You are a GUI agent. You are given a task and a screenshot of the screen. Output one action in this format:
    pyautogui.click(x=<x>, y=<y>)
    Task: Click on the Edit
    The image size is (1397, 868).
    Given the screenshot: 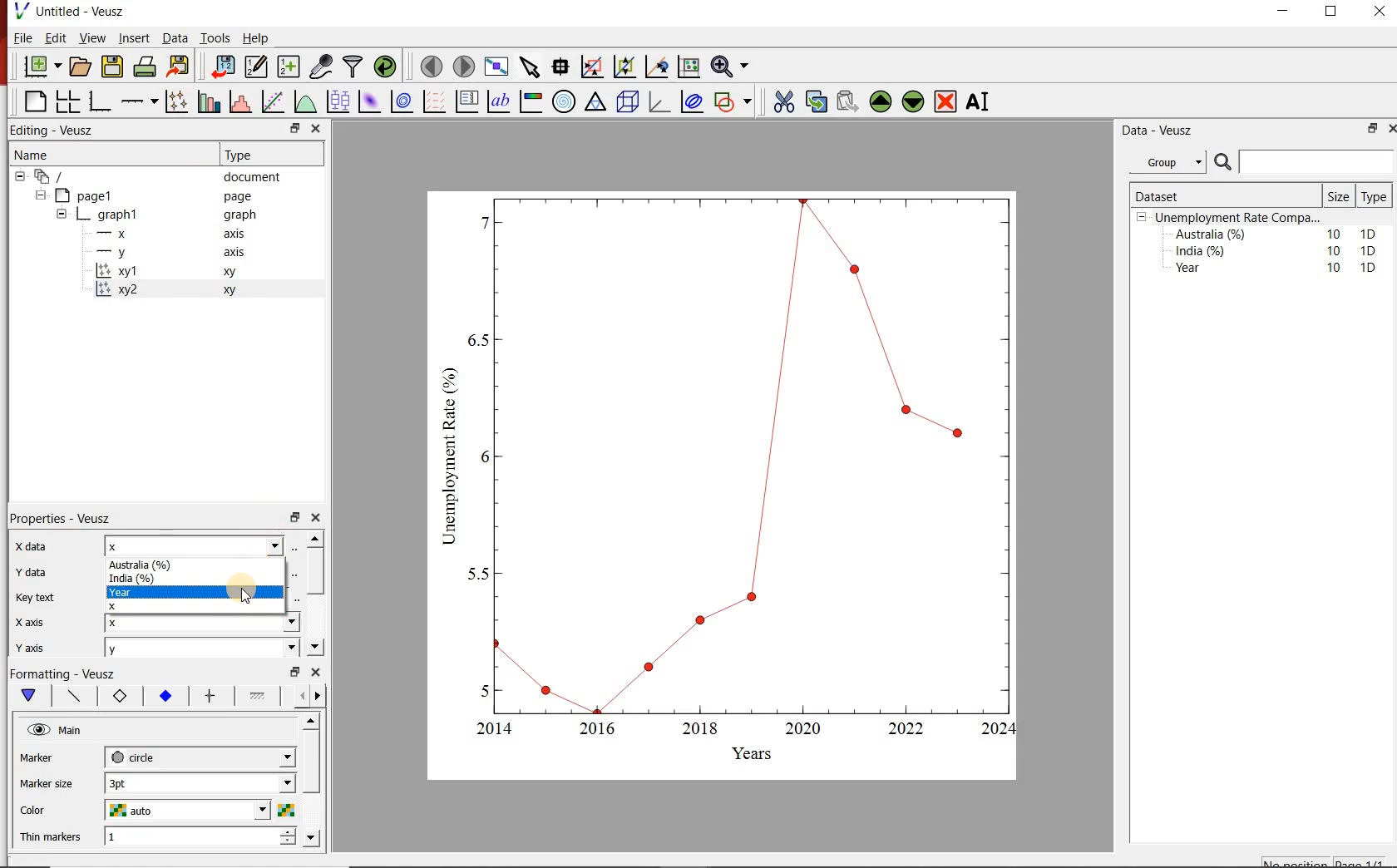 What is the action you would take?
    pyautogui.click(x=53, y=37)
    